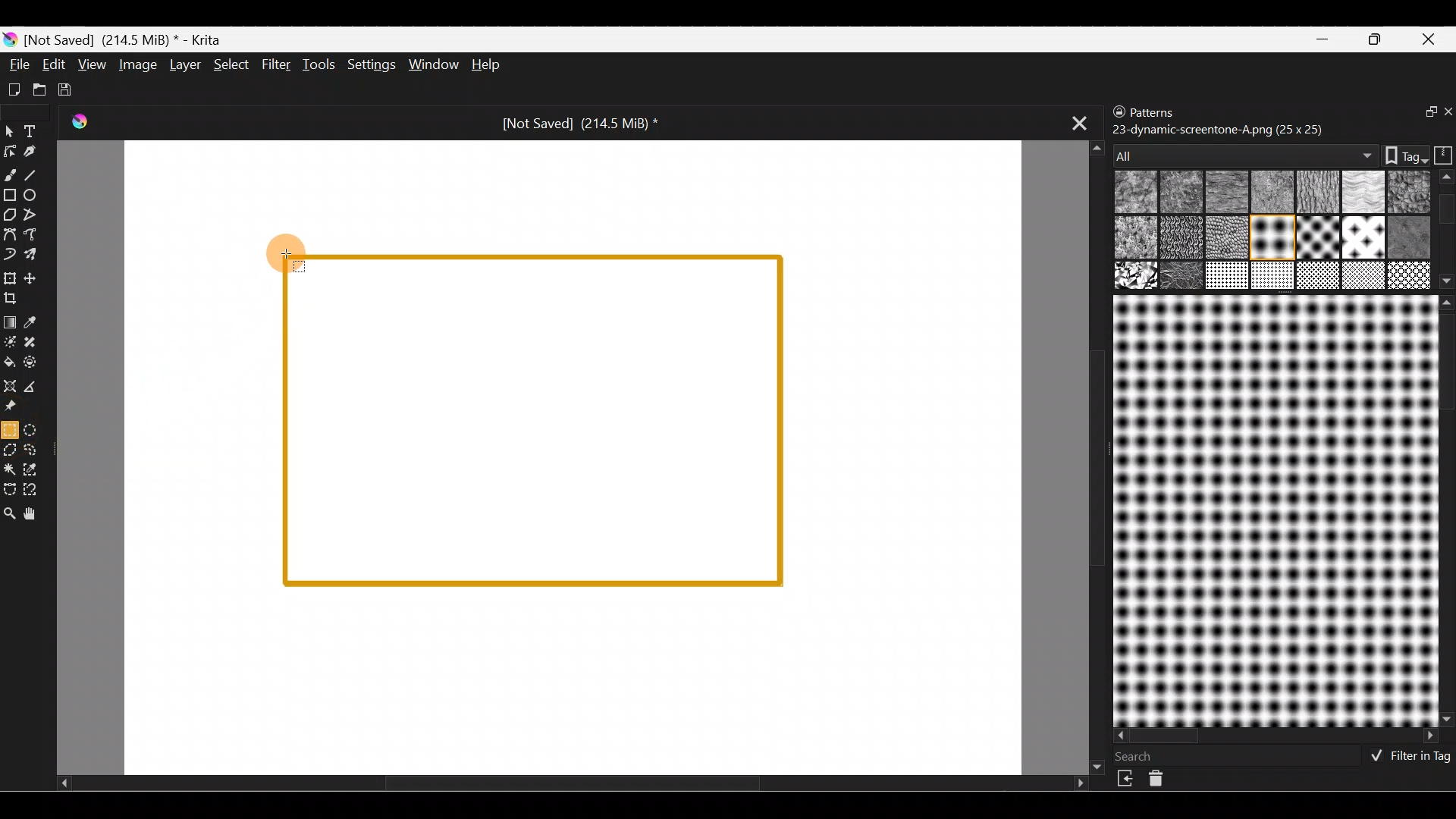 The image size is (1456, 819). What do you see at coordinates (37, 387) in the screenshot?
I see `Measure the distance between two points` at bounding box center [37, 387].